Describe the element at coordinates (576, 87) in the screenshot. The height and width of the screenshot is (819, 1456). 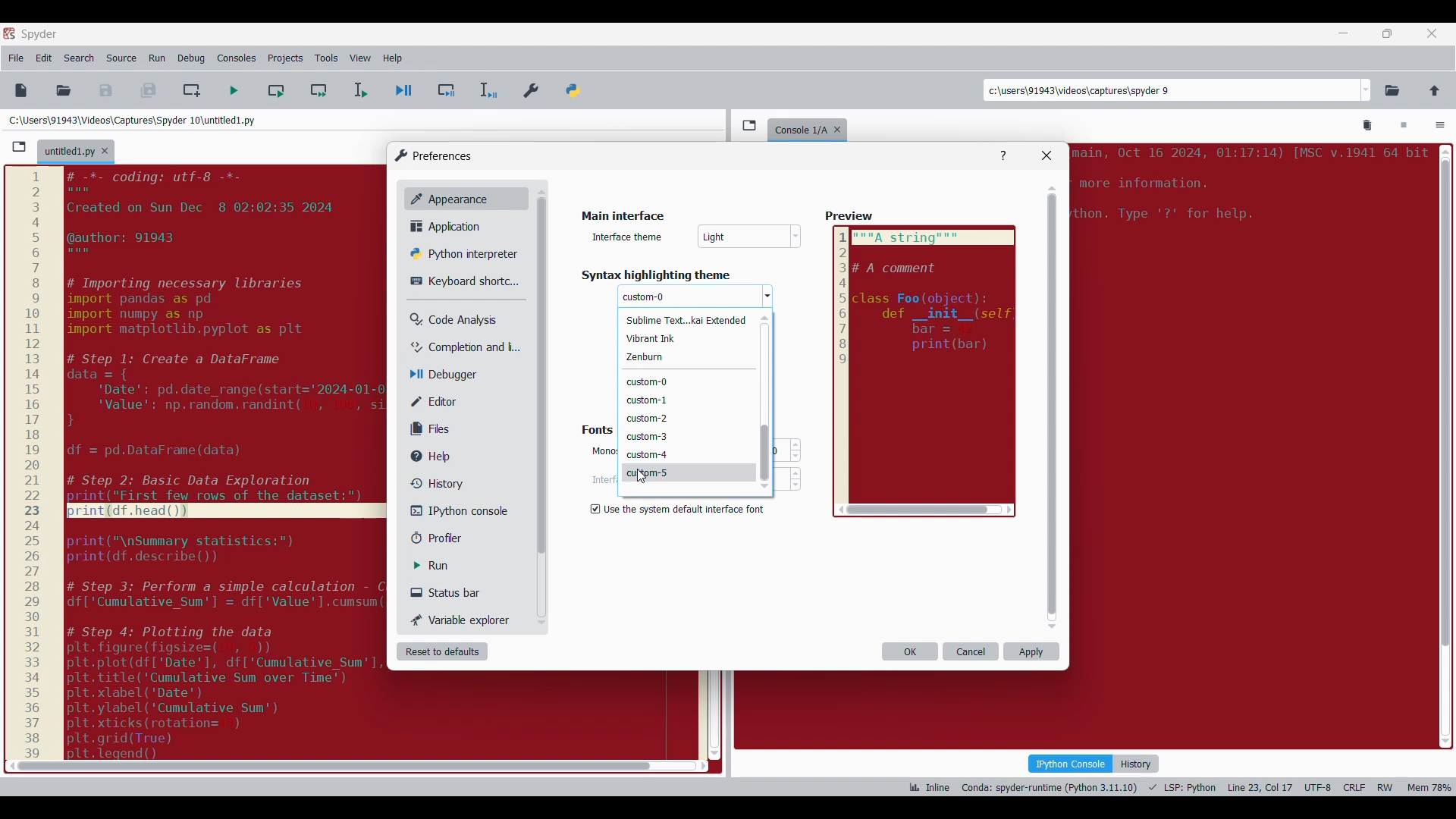
I see `PYTHONPATH manager` at that location.